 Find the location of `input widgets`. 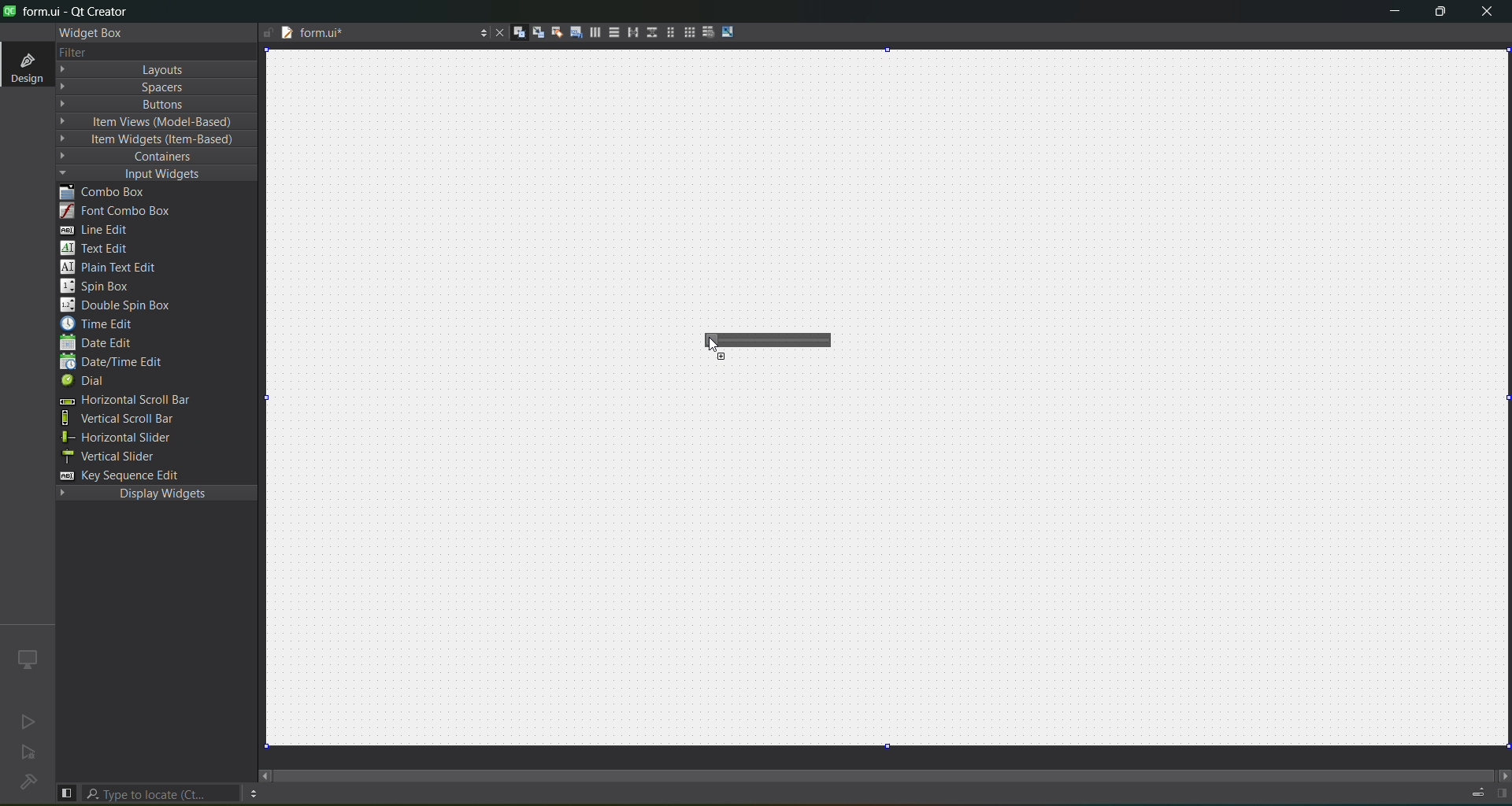

input widgets is located at coordinates (142, 173).